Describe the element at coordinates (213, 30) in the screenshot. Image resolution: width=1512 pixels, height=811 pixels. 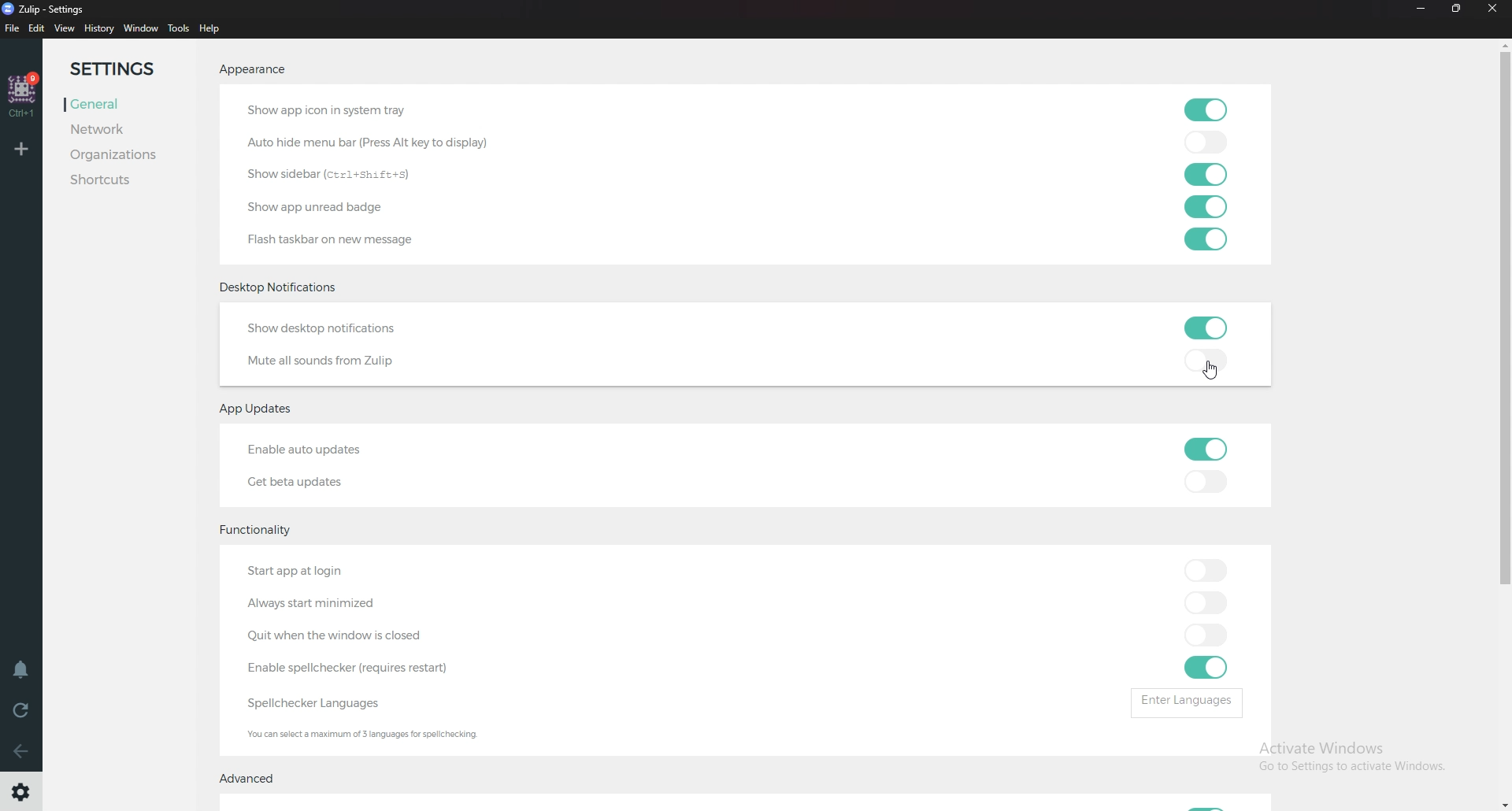
I see `help` at that location.